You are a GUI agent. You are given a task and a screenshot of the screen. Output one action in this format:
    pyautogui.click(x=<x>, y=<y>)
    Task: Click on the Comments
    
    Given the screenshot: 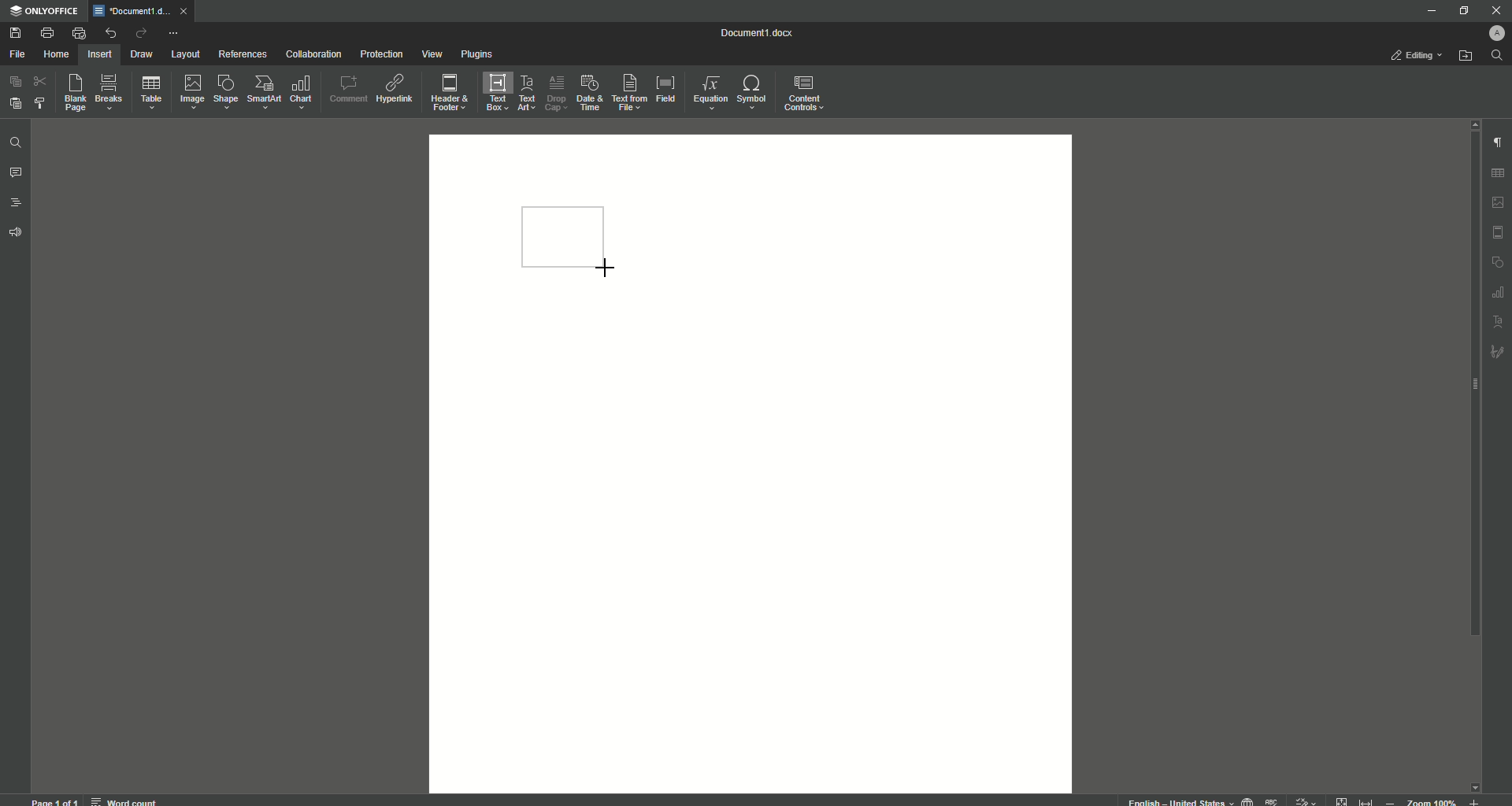 What is the action you would take?
    pyautogui.click(x=16, y=173)
    